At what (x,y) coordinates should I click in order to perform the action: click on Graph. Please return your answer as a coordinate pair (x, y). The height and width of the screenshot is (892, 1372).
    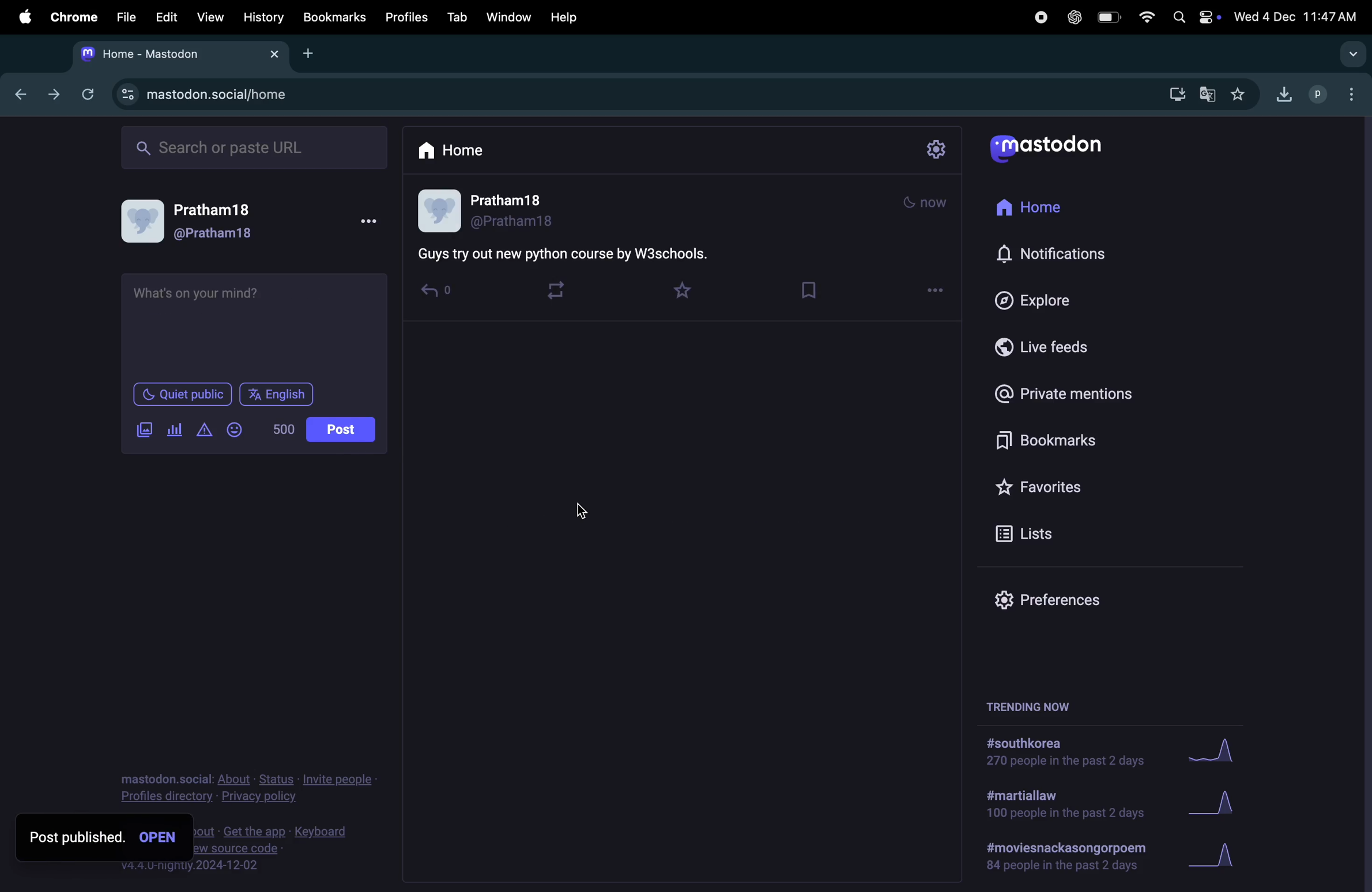
    Looking at the image, I should click on (1216, 749).